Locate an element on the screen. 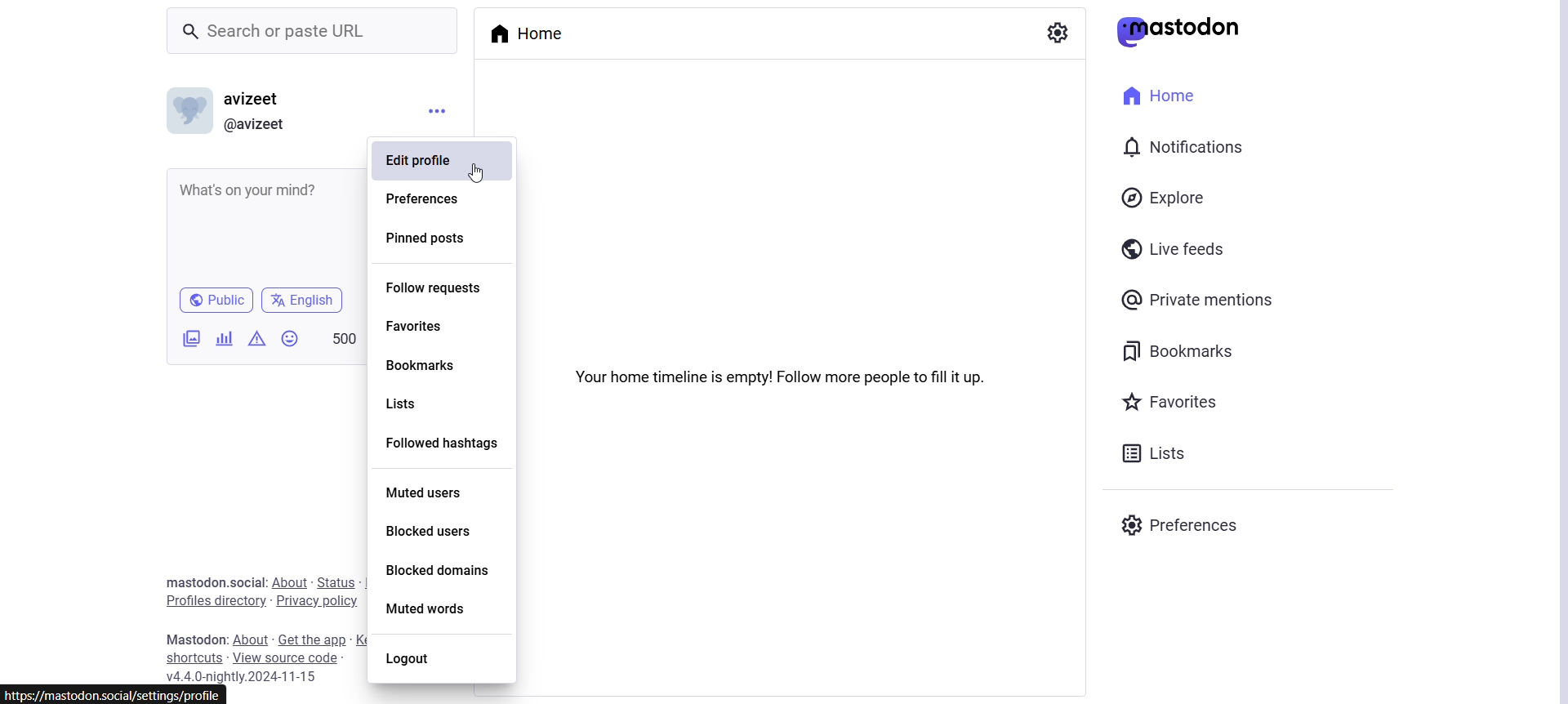 Image resolution: width=1568 pixels, height=704 pixels. About is located at coordinates (251, 640).